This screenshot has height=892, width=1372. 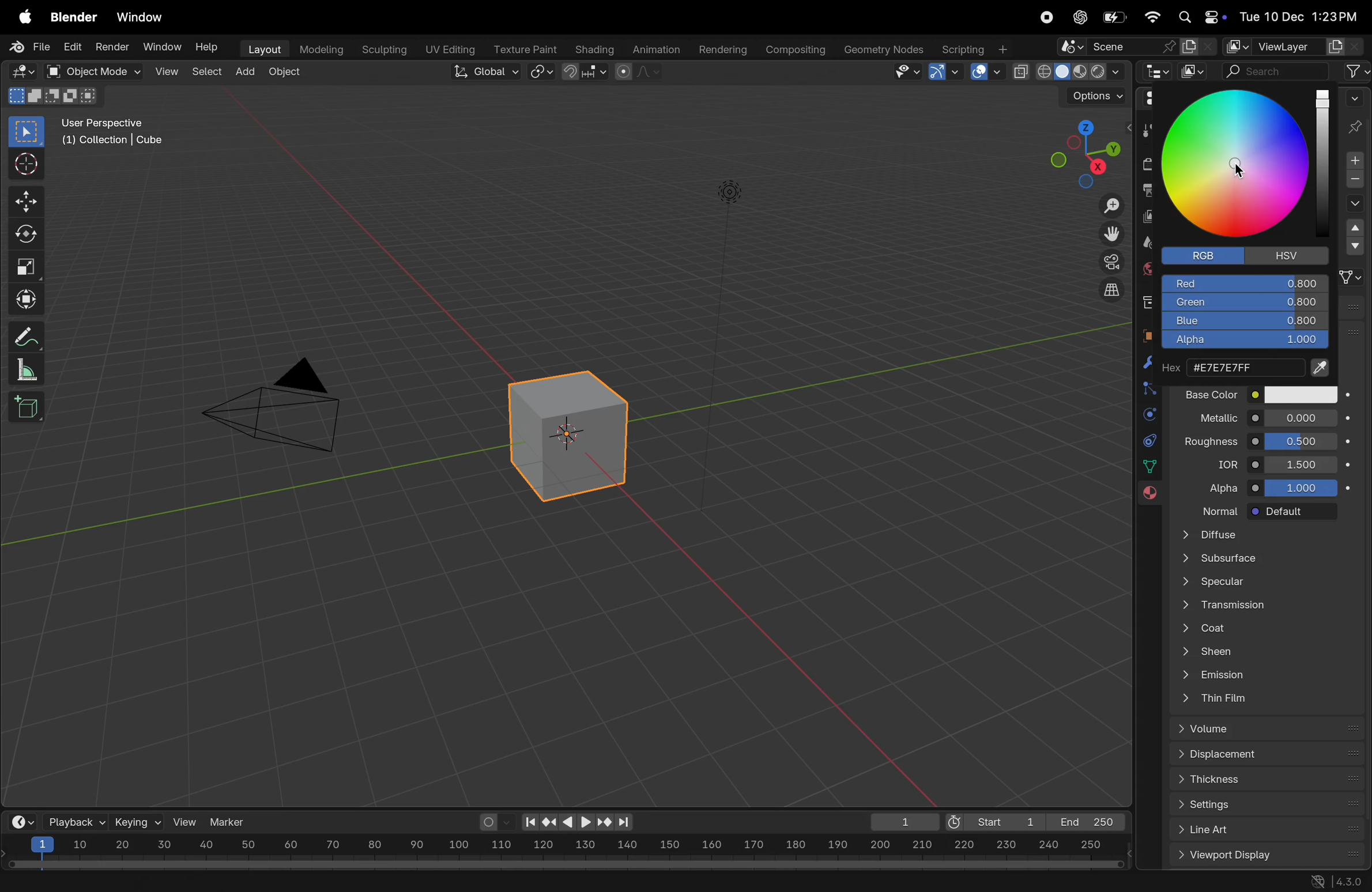 I want to click on scale, so click(x=22, y=369).